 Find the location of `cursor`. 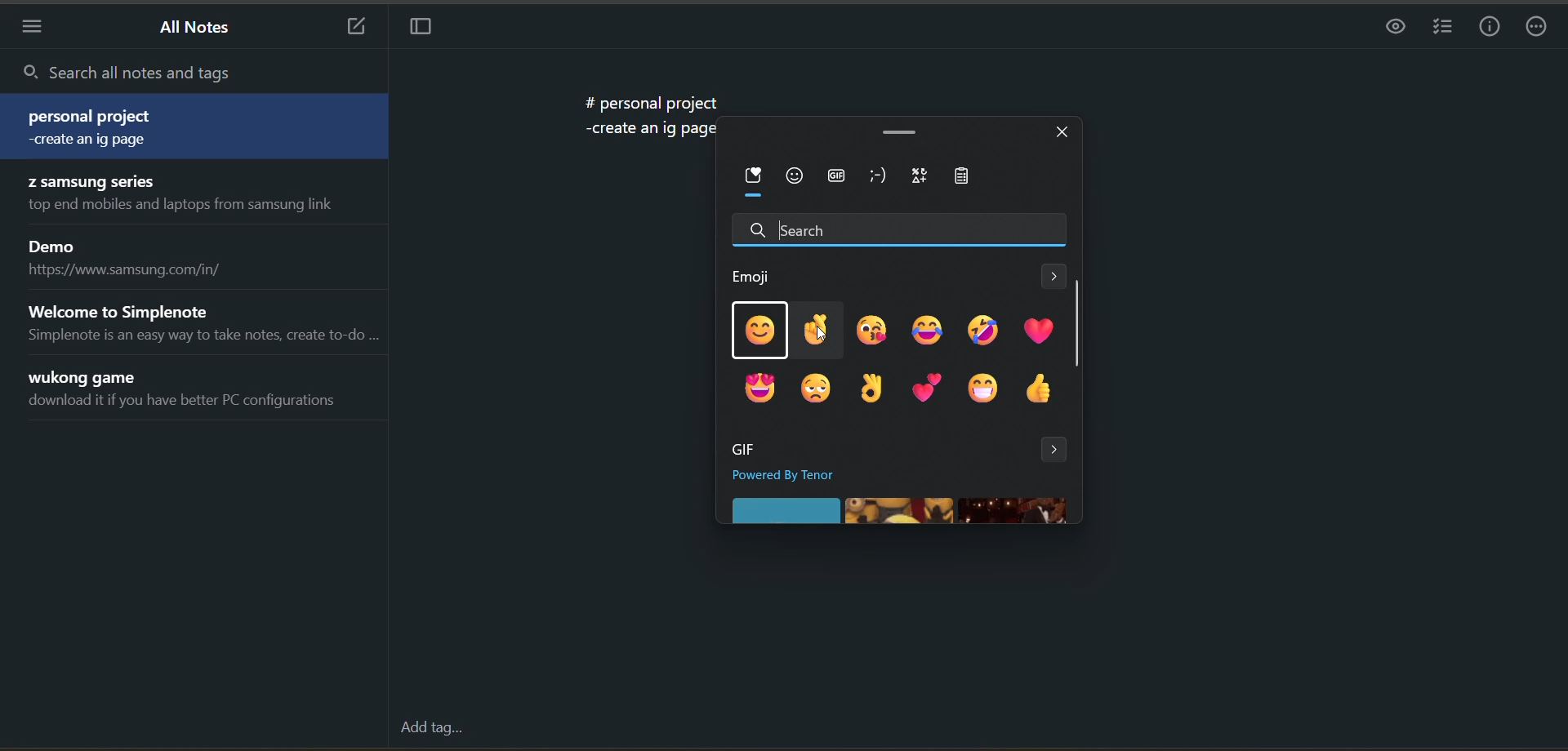

cursor is located at coordinates (819, 337).